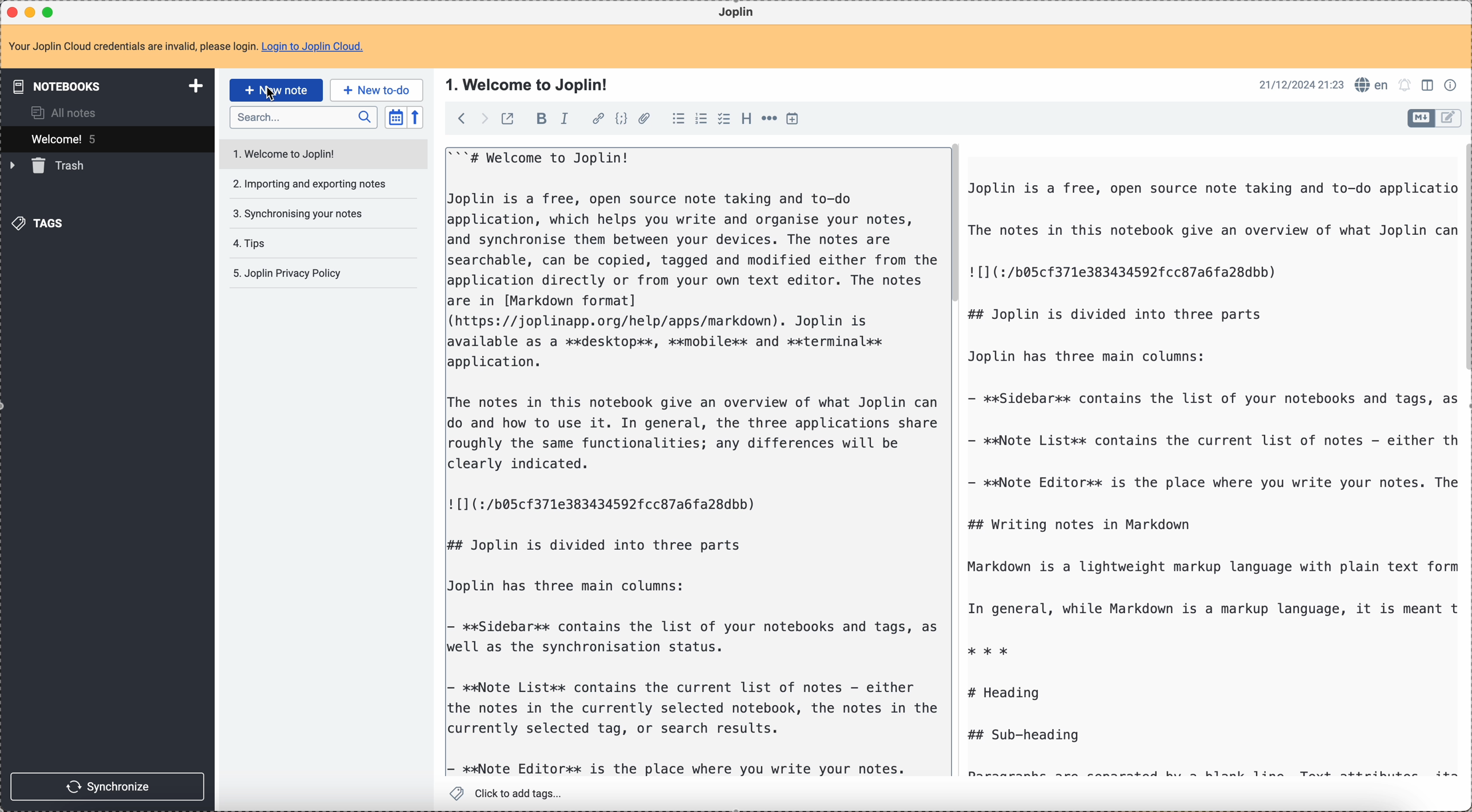  Describe the element at coordinates (303, 116) in the screenshot. I see `search bar` at that location.